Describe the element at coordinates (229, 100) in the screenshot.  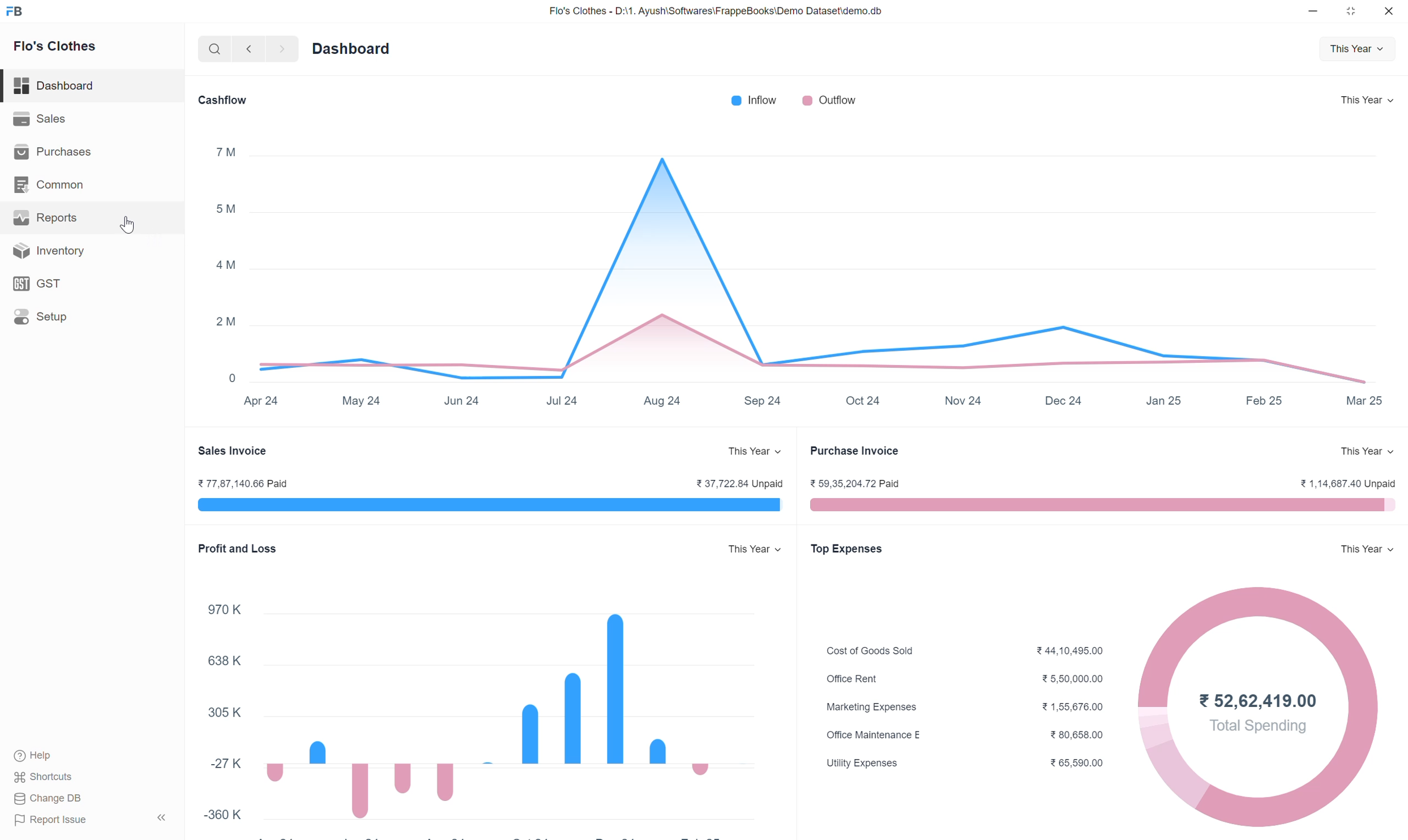
I see `Cashflow` at that location.